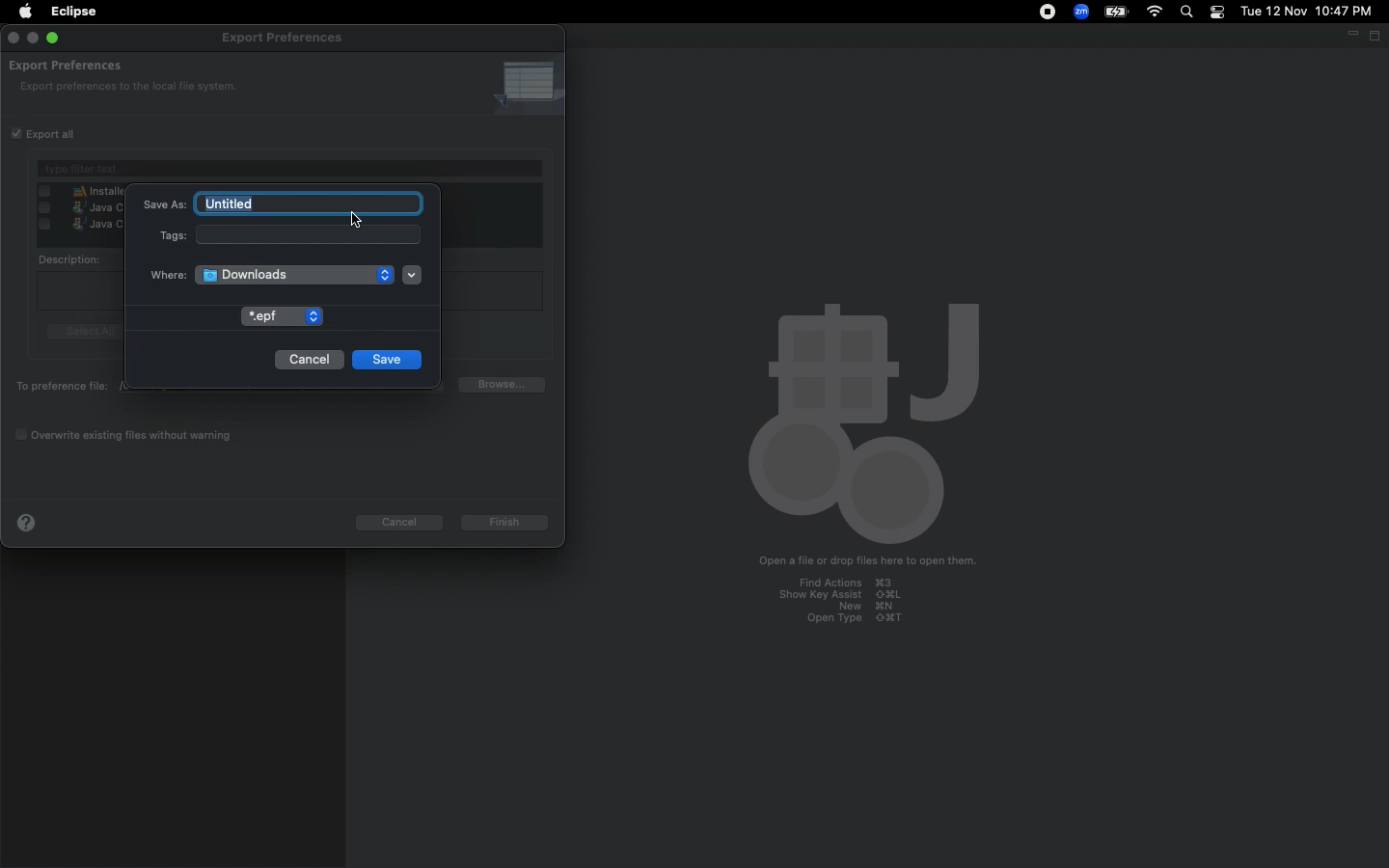  Describe the element at coordinates (404, 520) in the screenshot. I see `cancel` at that location.